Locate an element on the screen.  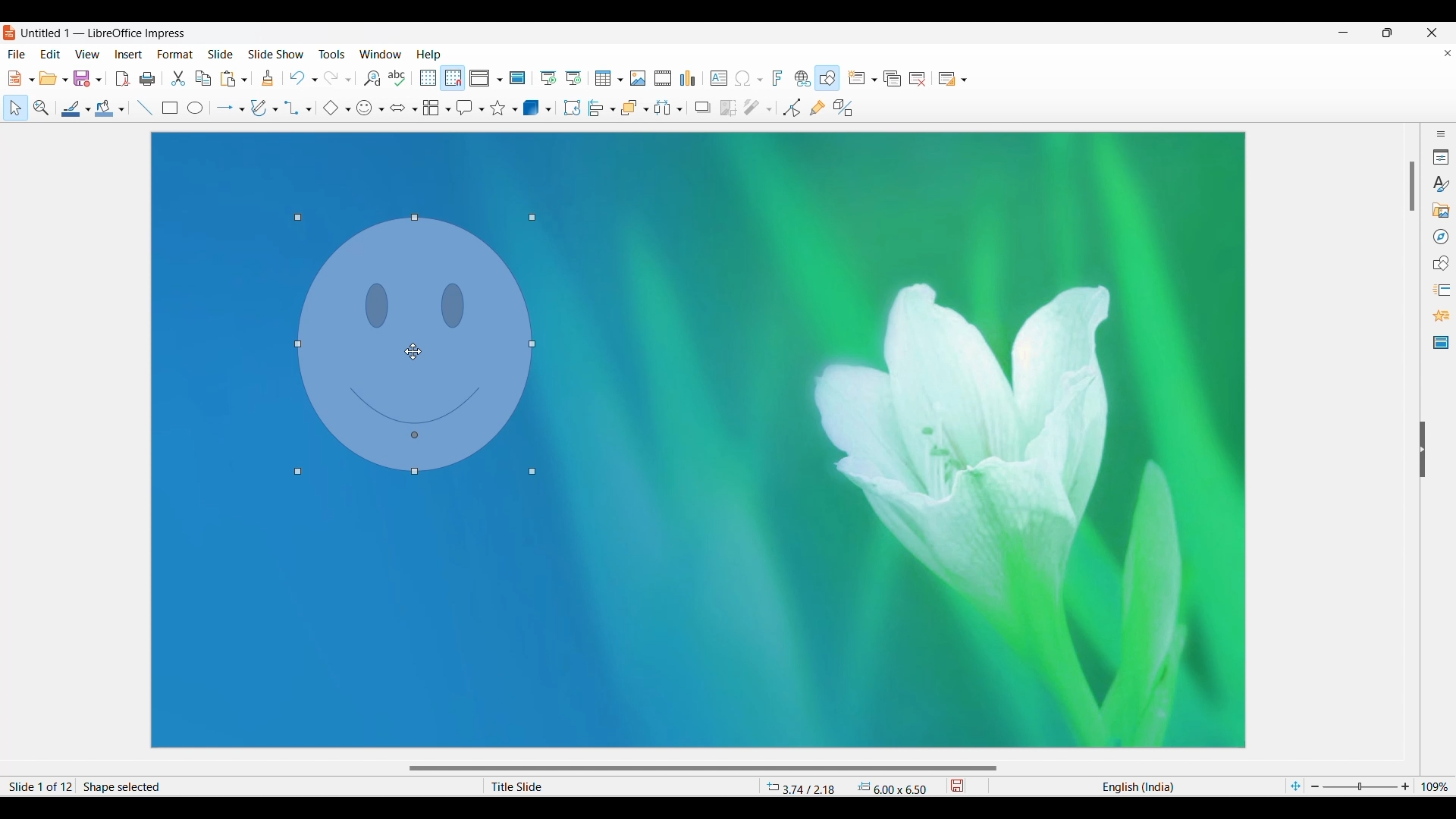
Help is located at coordinates (428, 55).